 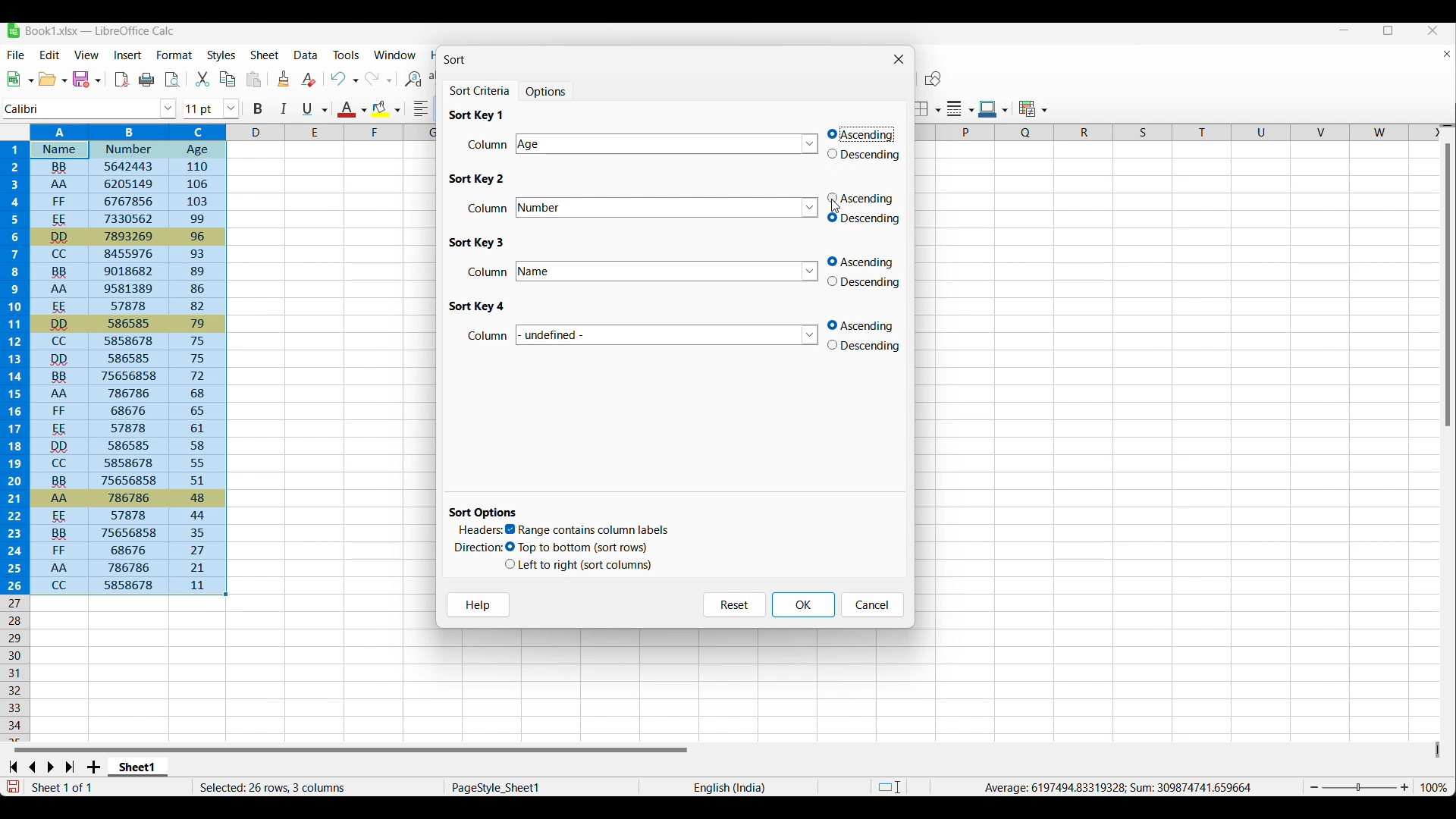 What do you see at coordinates (862, 133) in the screenshot?
I see `ascending` at bounding box center [862, 133].